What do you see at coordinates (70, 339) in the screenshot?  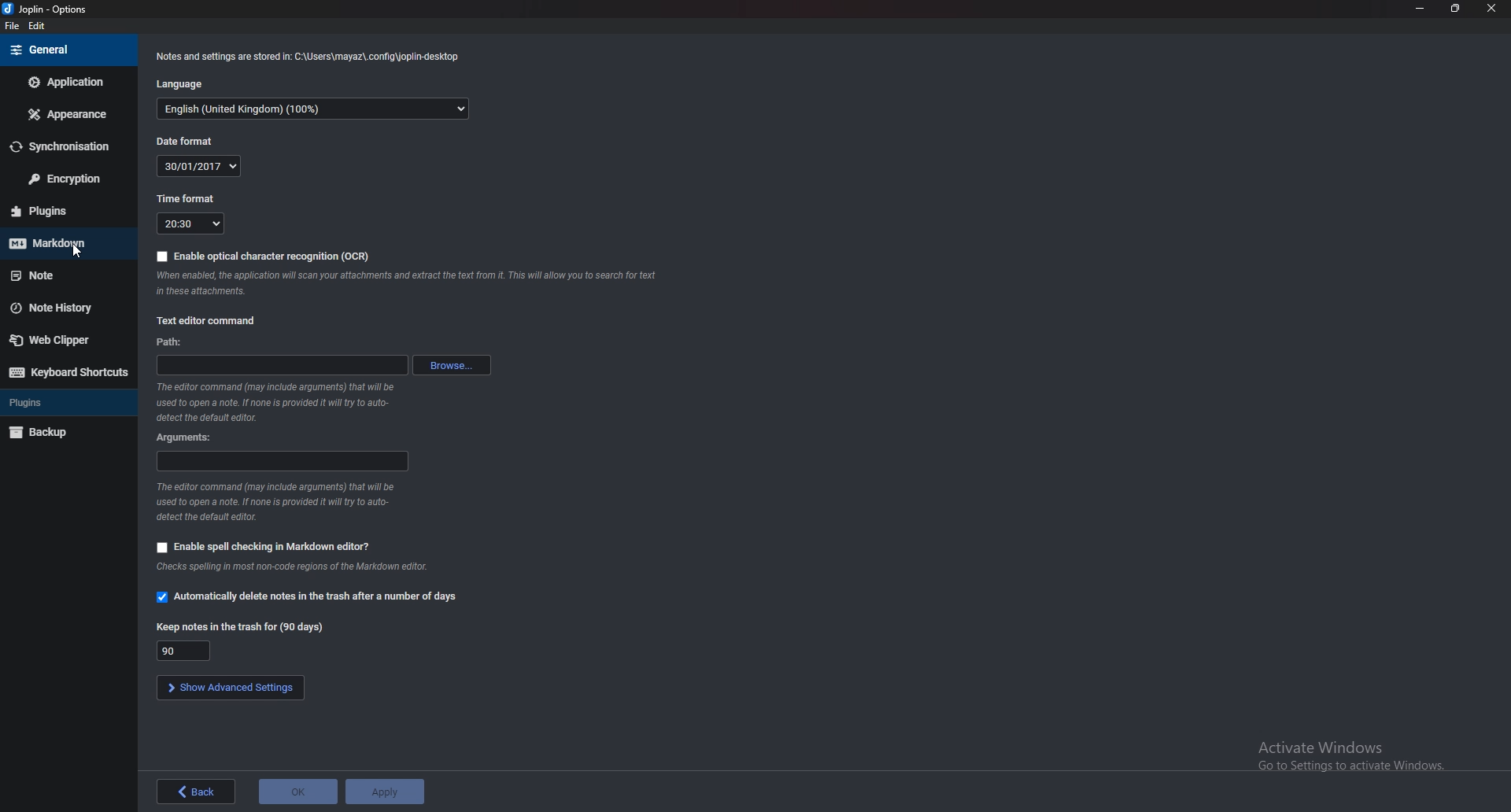 I see `Webclipper` at bounding box center [70, 339].